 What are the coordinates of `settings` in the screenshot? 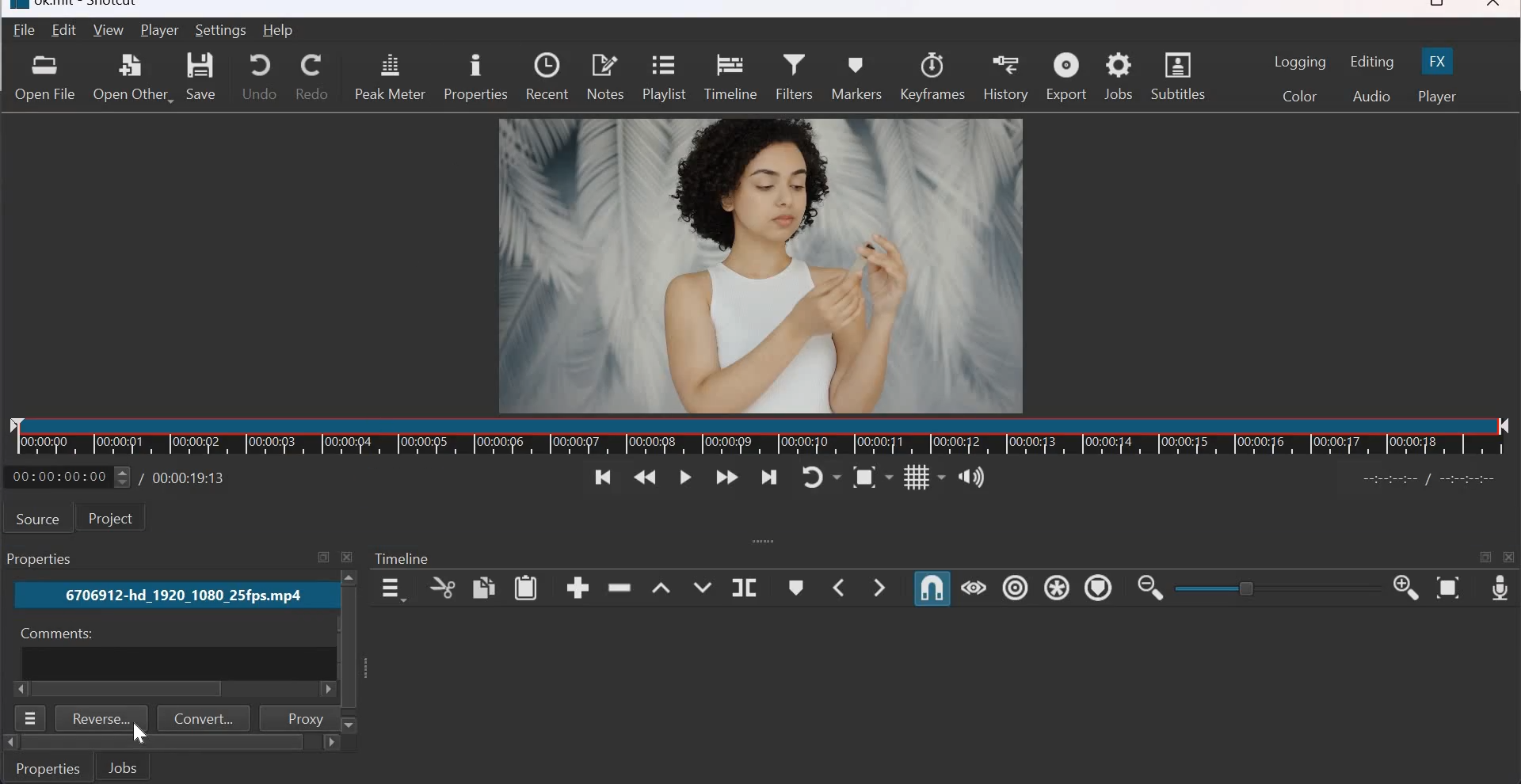 It's located at (223, 30).